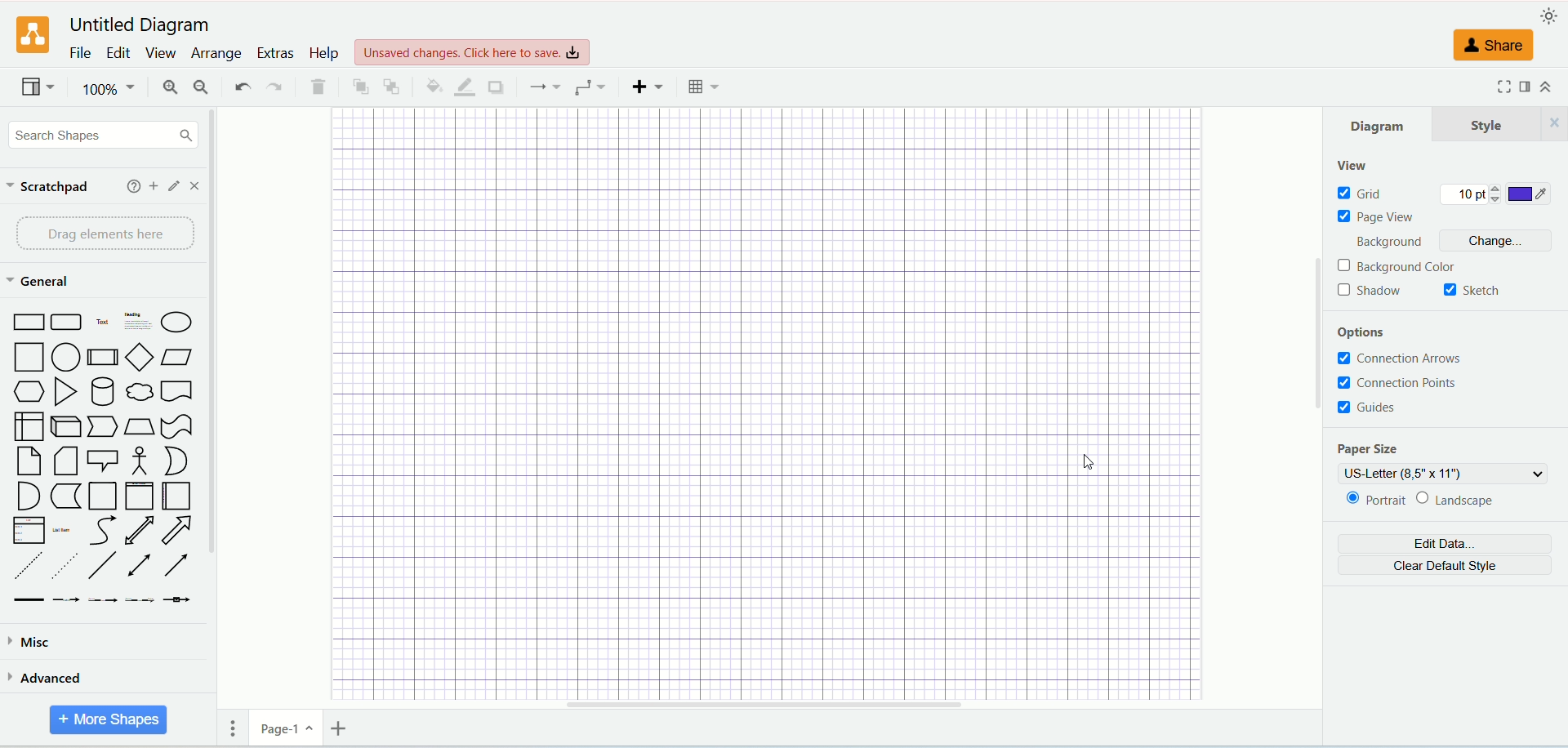 The width and height of the screenshot is (1568, 748). Describe the element at coordinates (1361, 195) in the screenshot. I see `grid` at that location.